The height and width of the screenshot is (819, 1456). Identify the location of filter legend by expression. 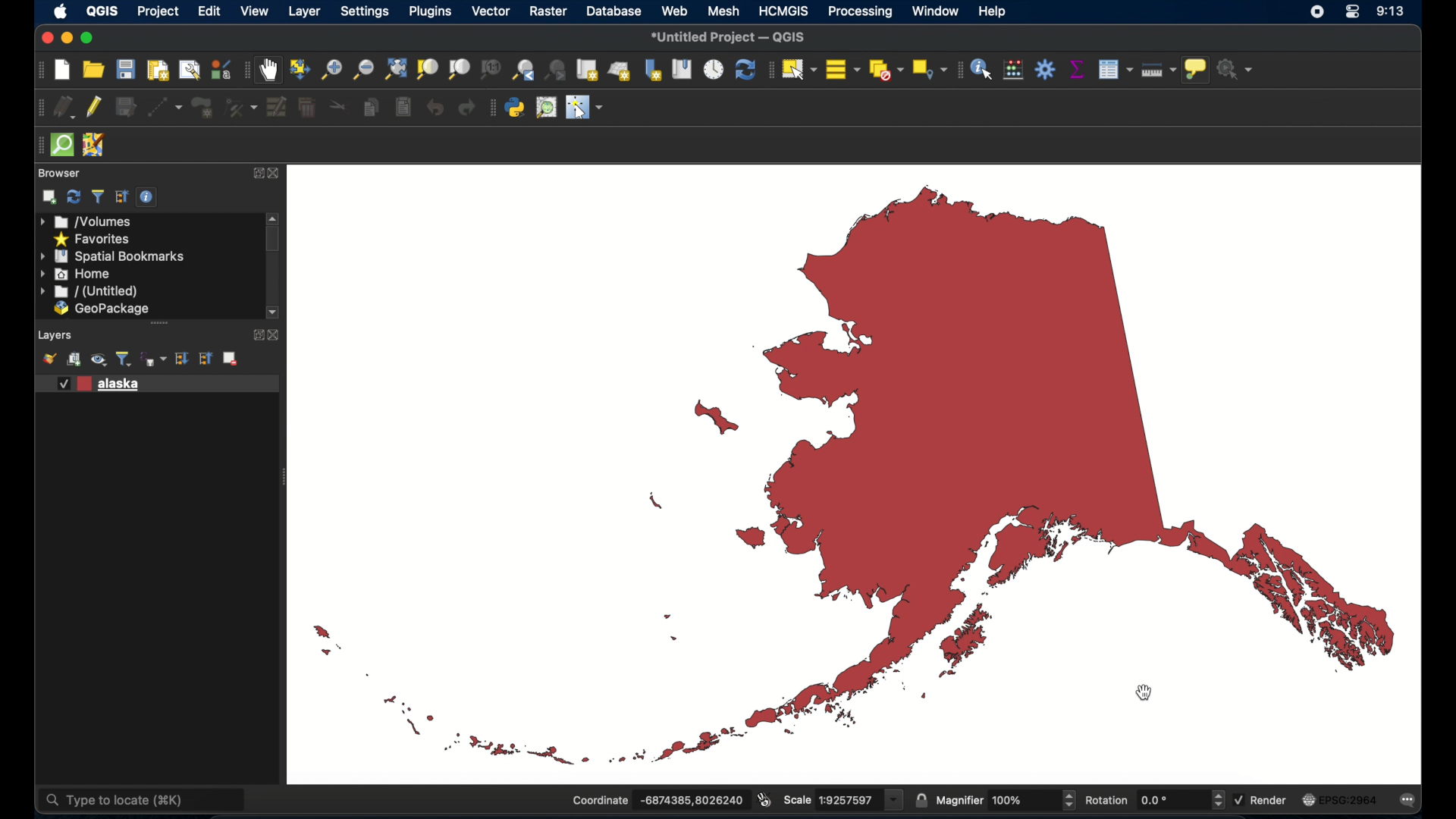
(158, 361).